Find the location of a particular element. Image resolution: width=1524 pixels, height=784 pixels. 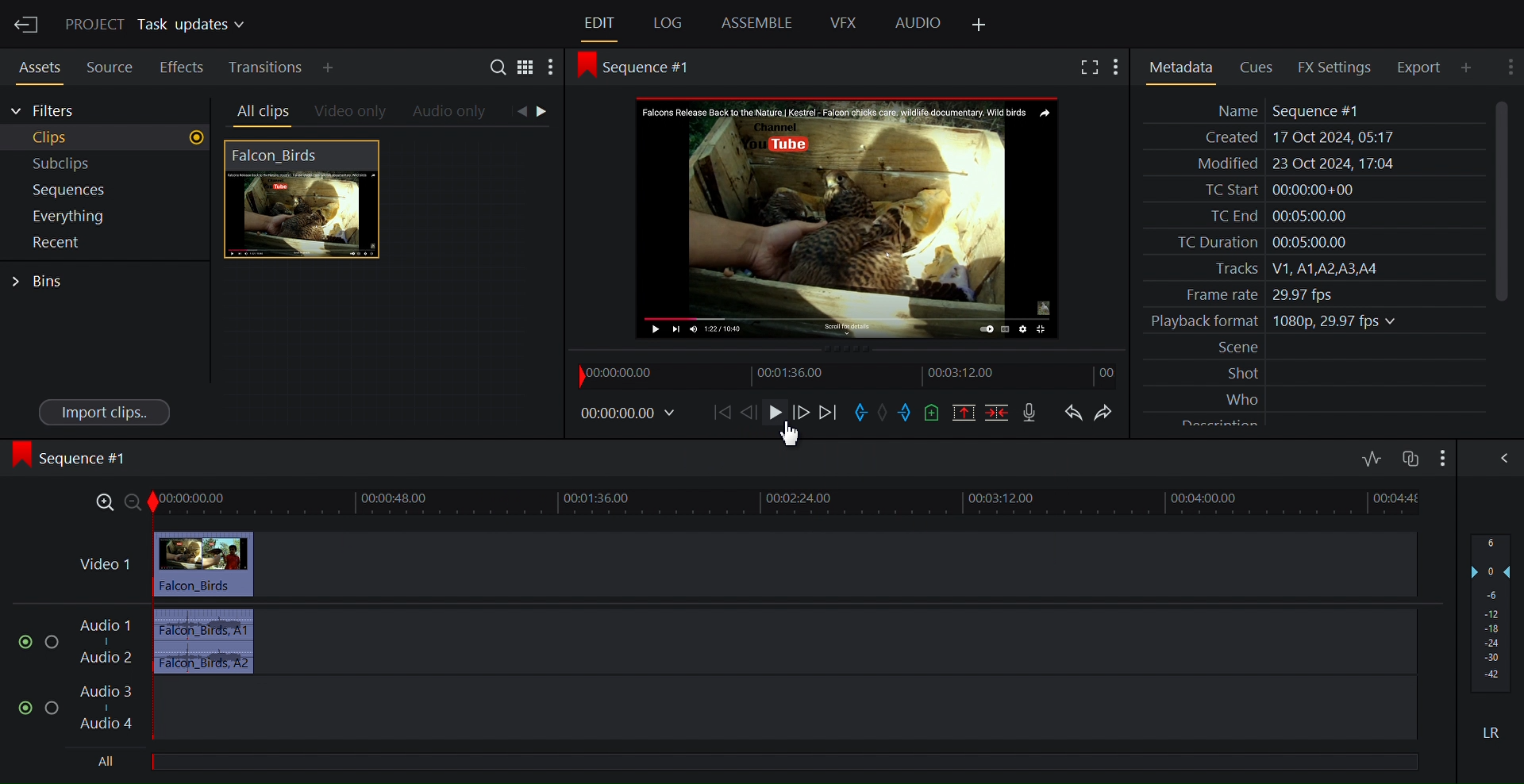

Timeline is located at coordinates (851, 376).